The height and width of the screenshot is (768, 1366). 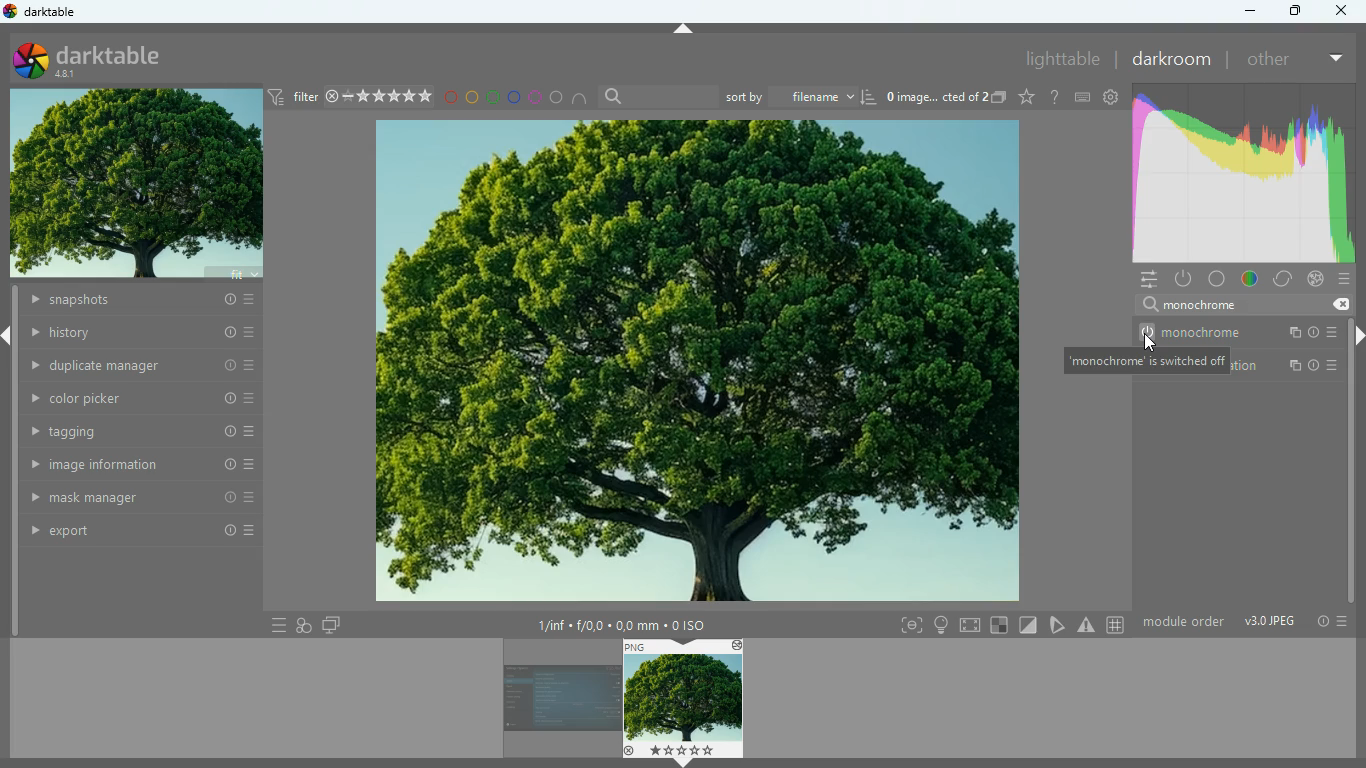 I want to click on lighttable, so click(x=1059, y=58).